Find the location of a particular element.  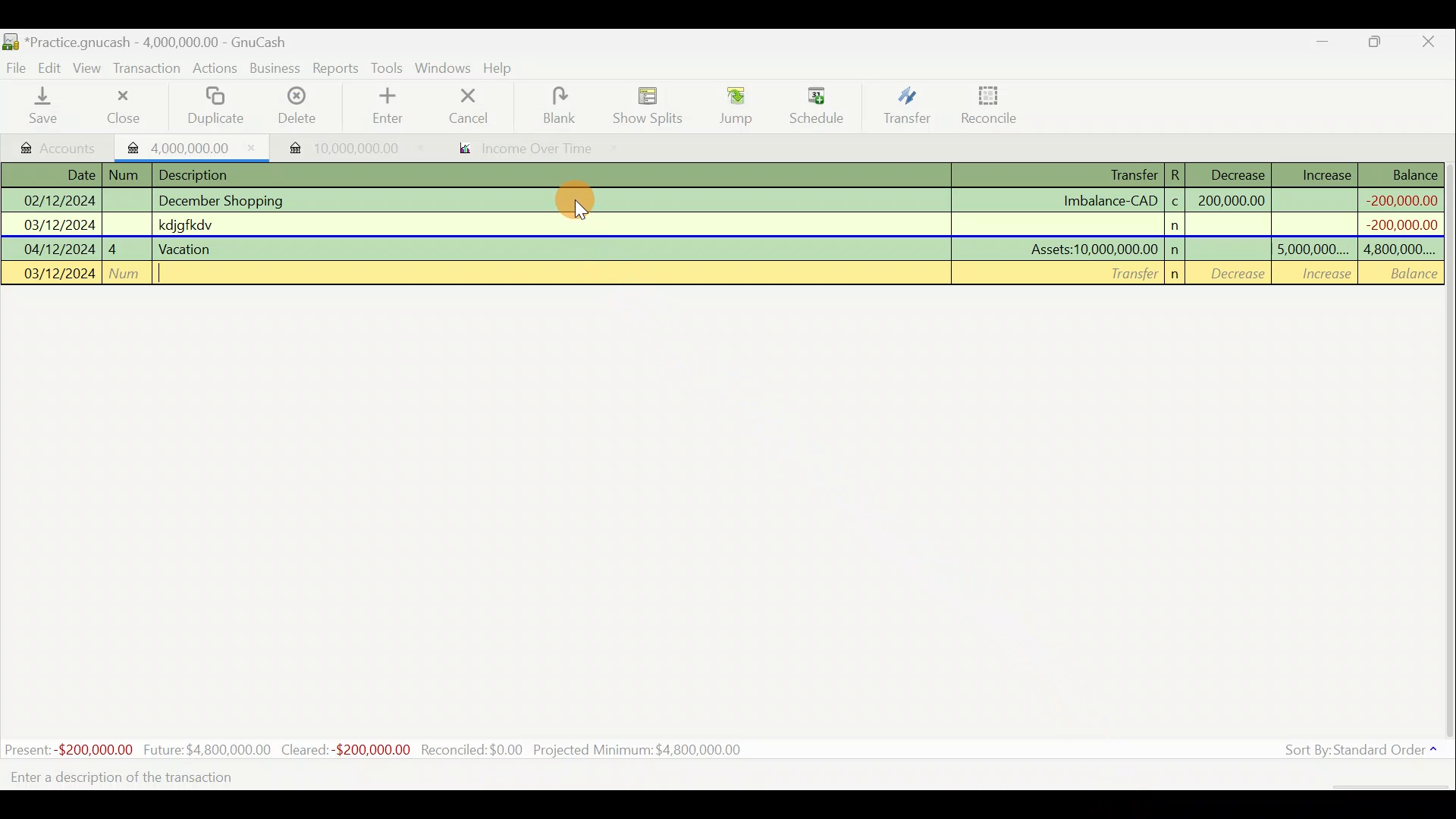

Imported transaction 1 is located at coordinates (193, 146).